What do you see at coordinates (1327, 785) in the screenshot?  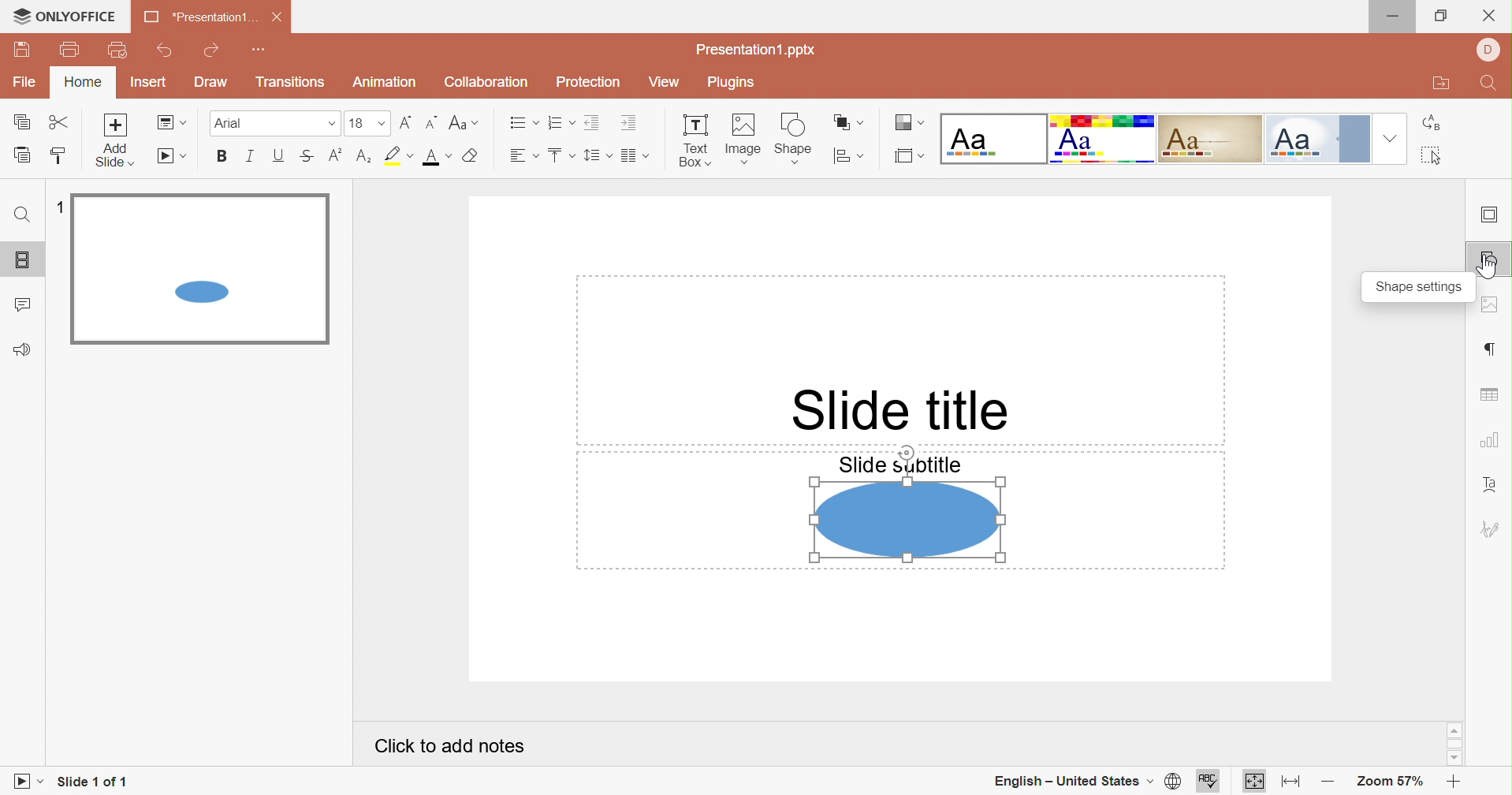 I see `Zoom out` at bounding box center [1327, 785].